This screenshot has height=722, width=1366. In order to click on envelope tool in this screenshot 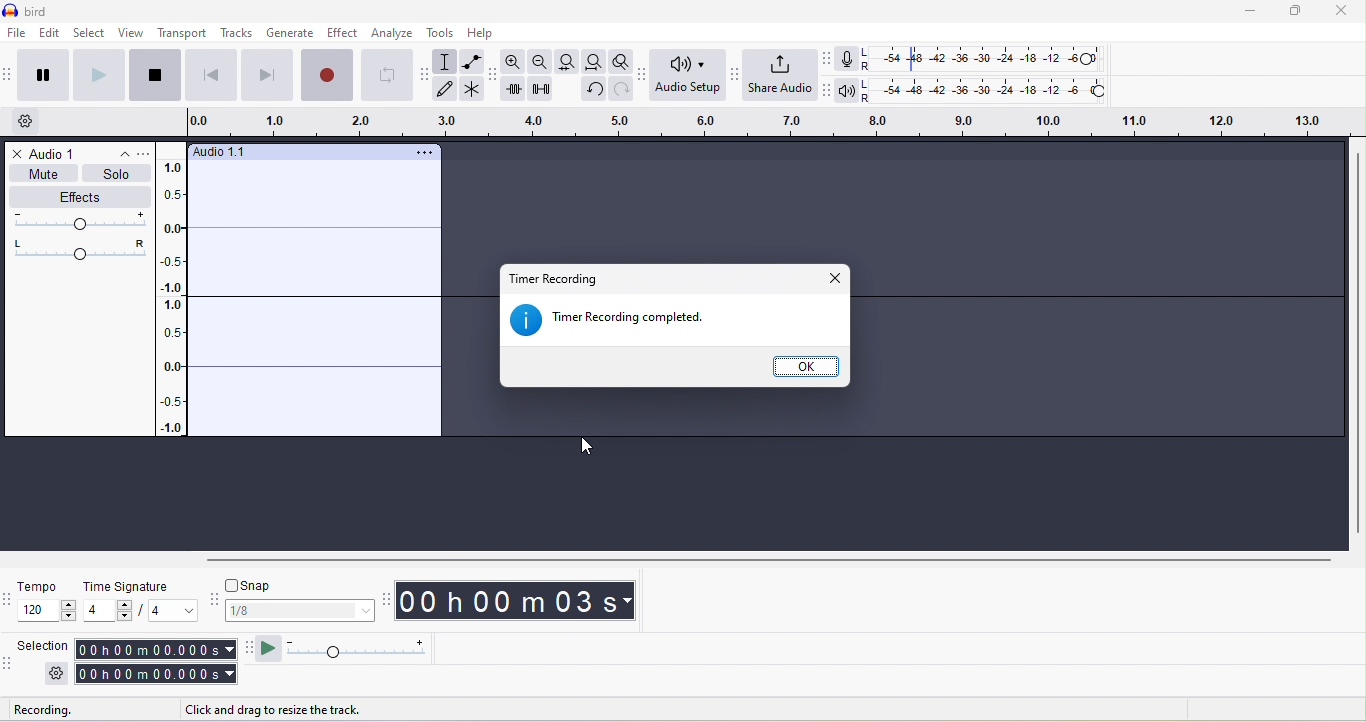, I will do `click(470, 60)`.